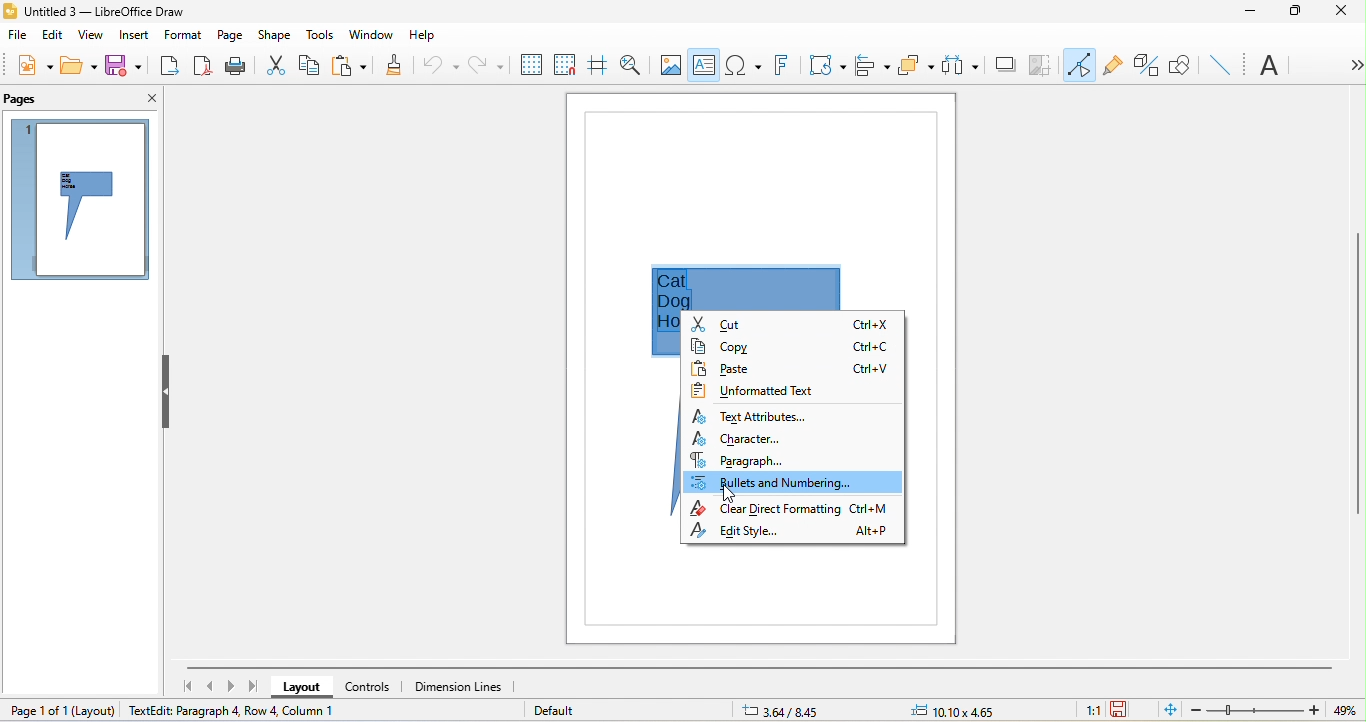  What do you see at coordinates (28, 65) in the screenshot?
I see `new` at bounding box center [28, 65].